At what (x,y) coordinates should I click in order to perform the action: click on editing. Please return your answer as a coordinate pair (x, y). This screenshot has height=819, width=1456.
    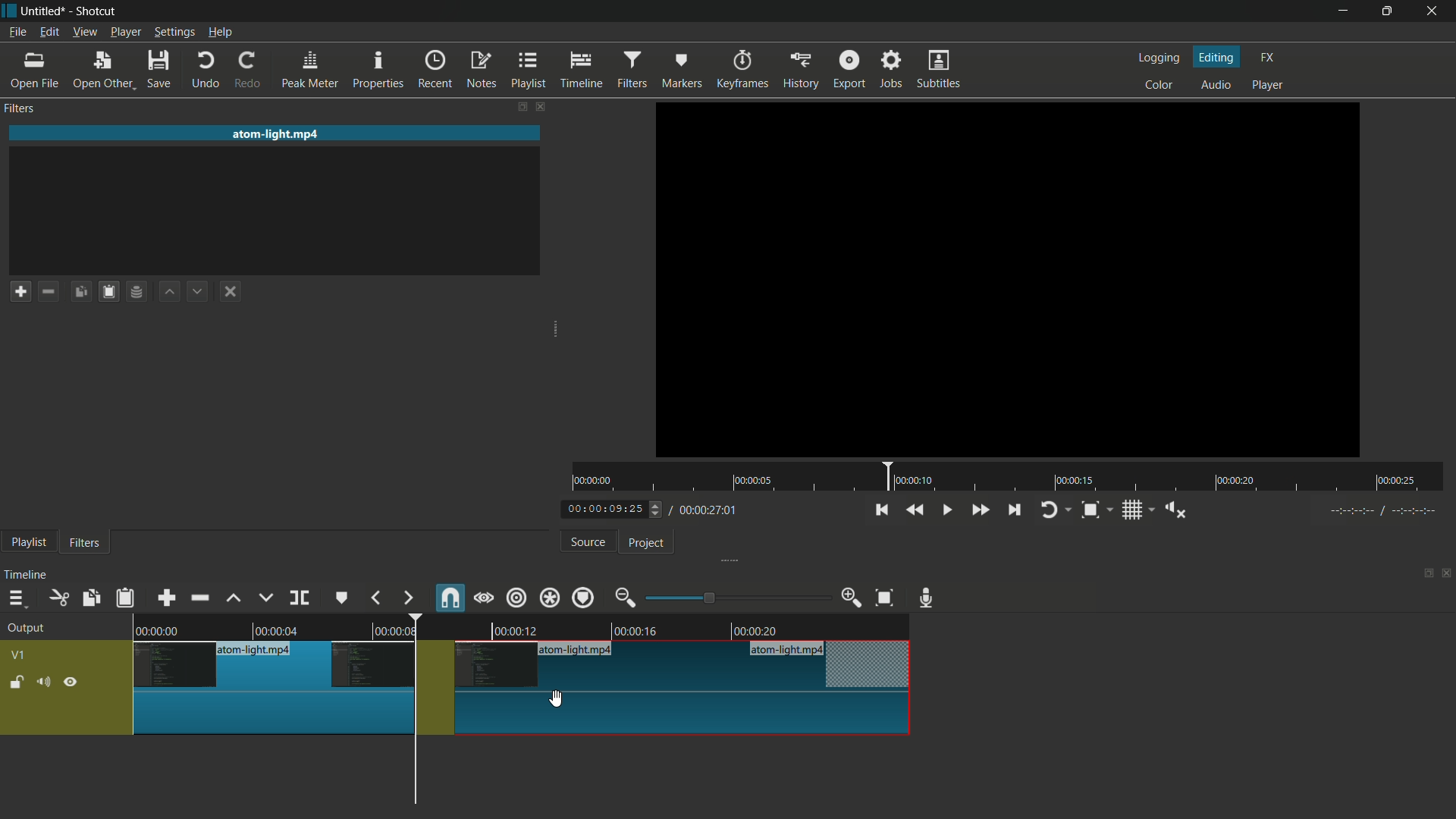
    Looking at the image, I should click on (1217, 56).